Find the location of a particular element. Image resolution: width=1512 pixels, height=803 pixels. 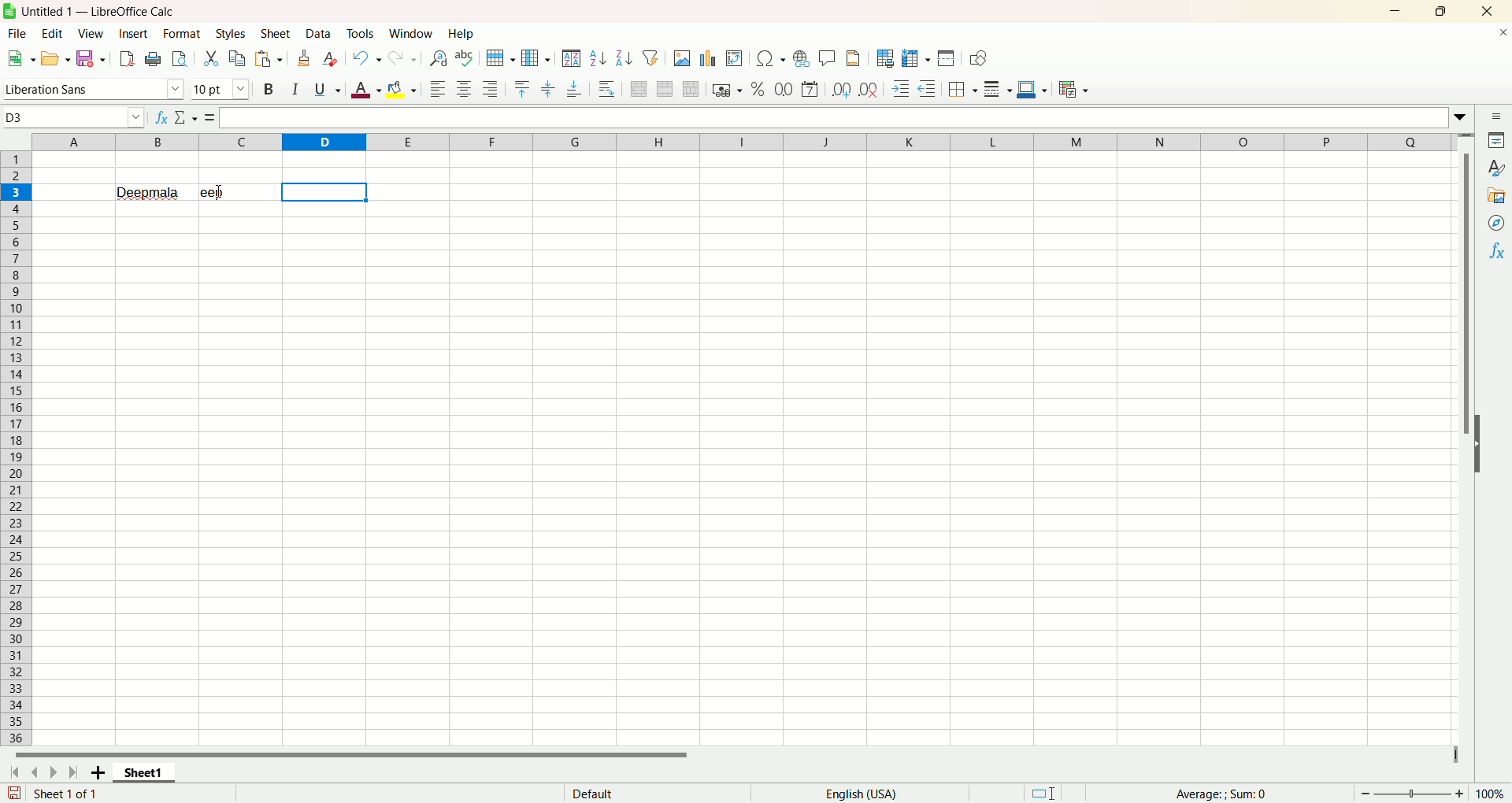

Italic is located at coordinates (297, 87).